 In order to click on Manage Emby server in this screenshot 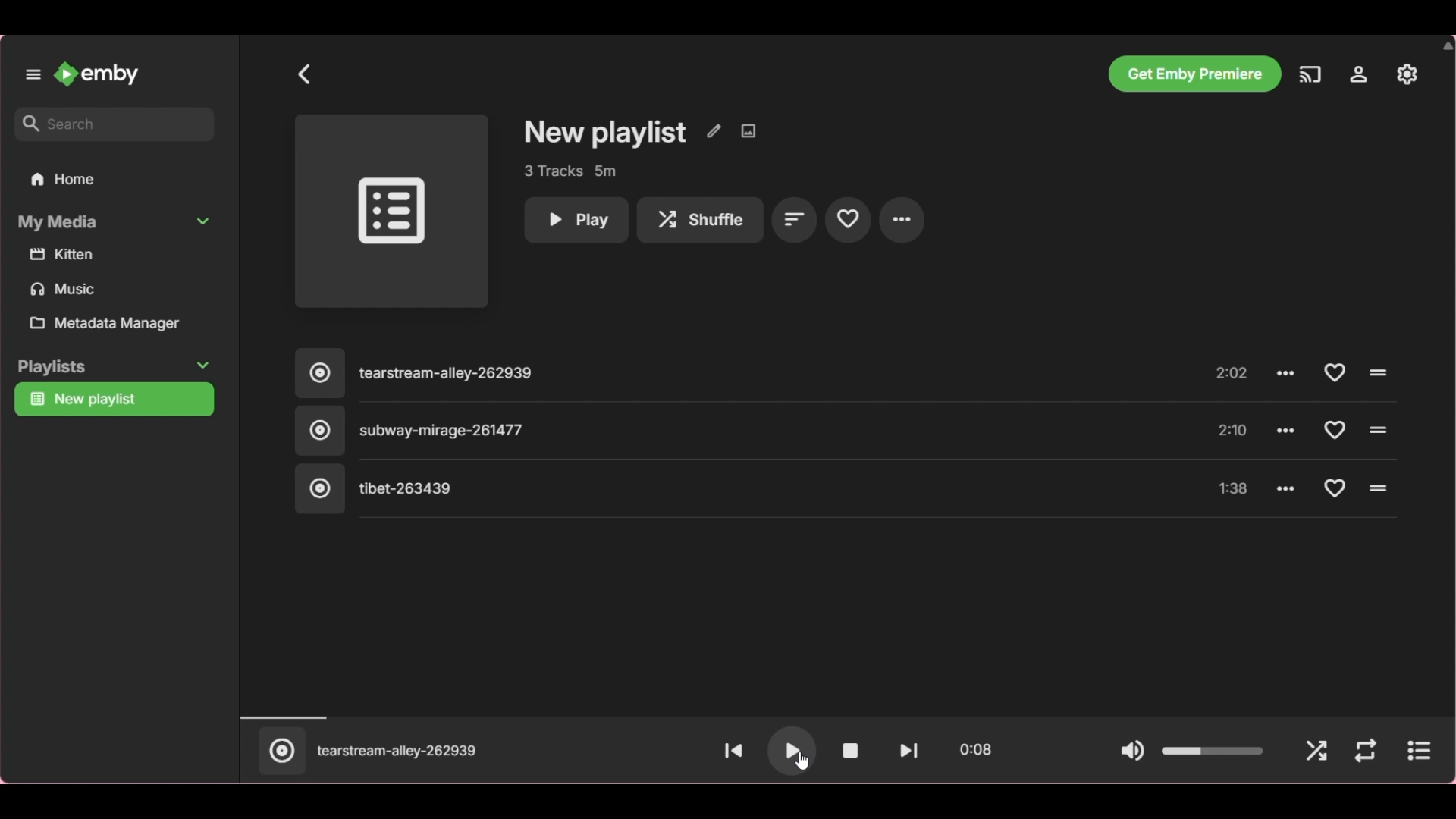, I will do `click(1407, 74)`.